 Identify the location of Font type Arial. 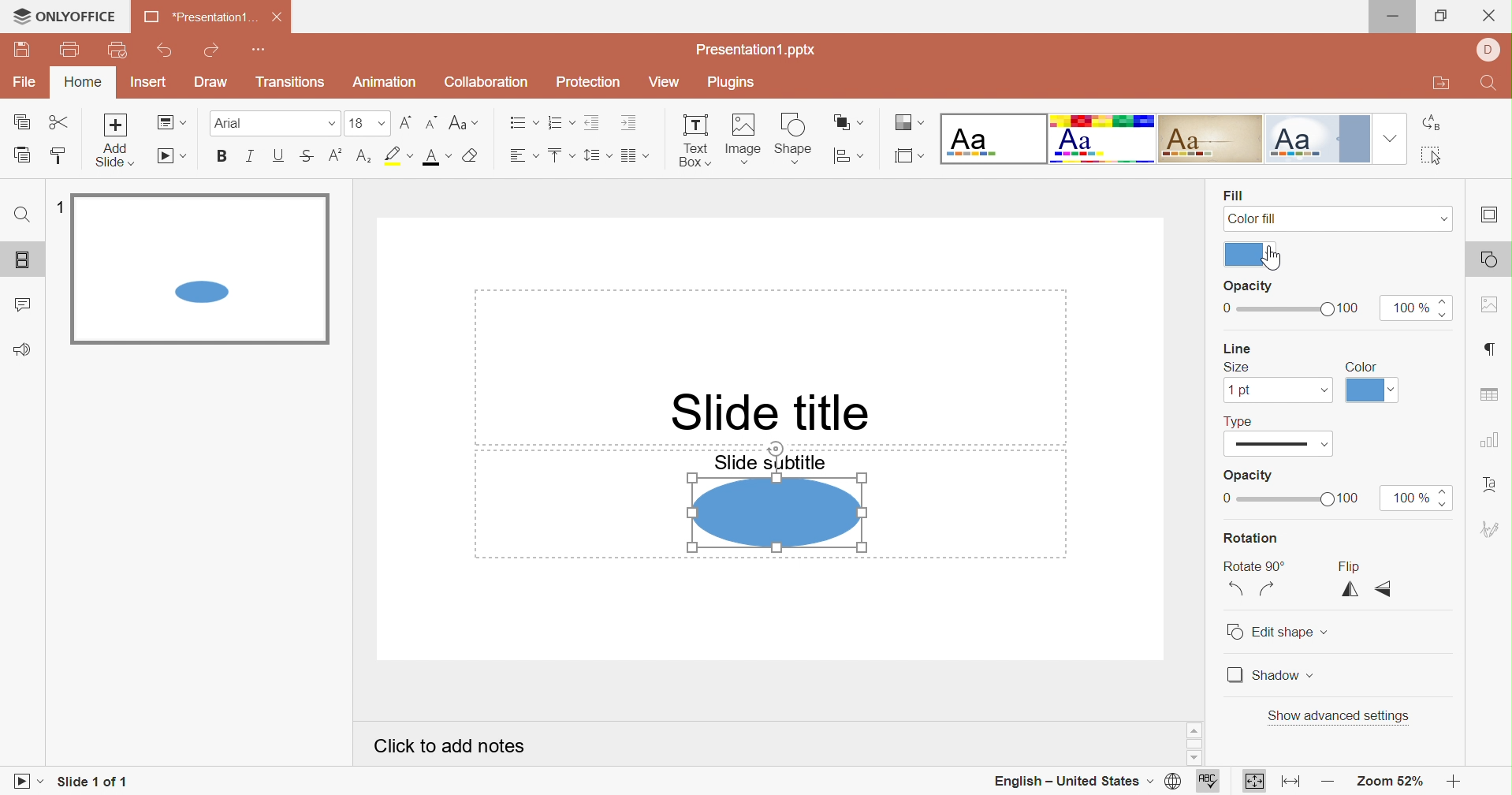
(274, 122).